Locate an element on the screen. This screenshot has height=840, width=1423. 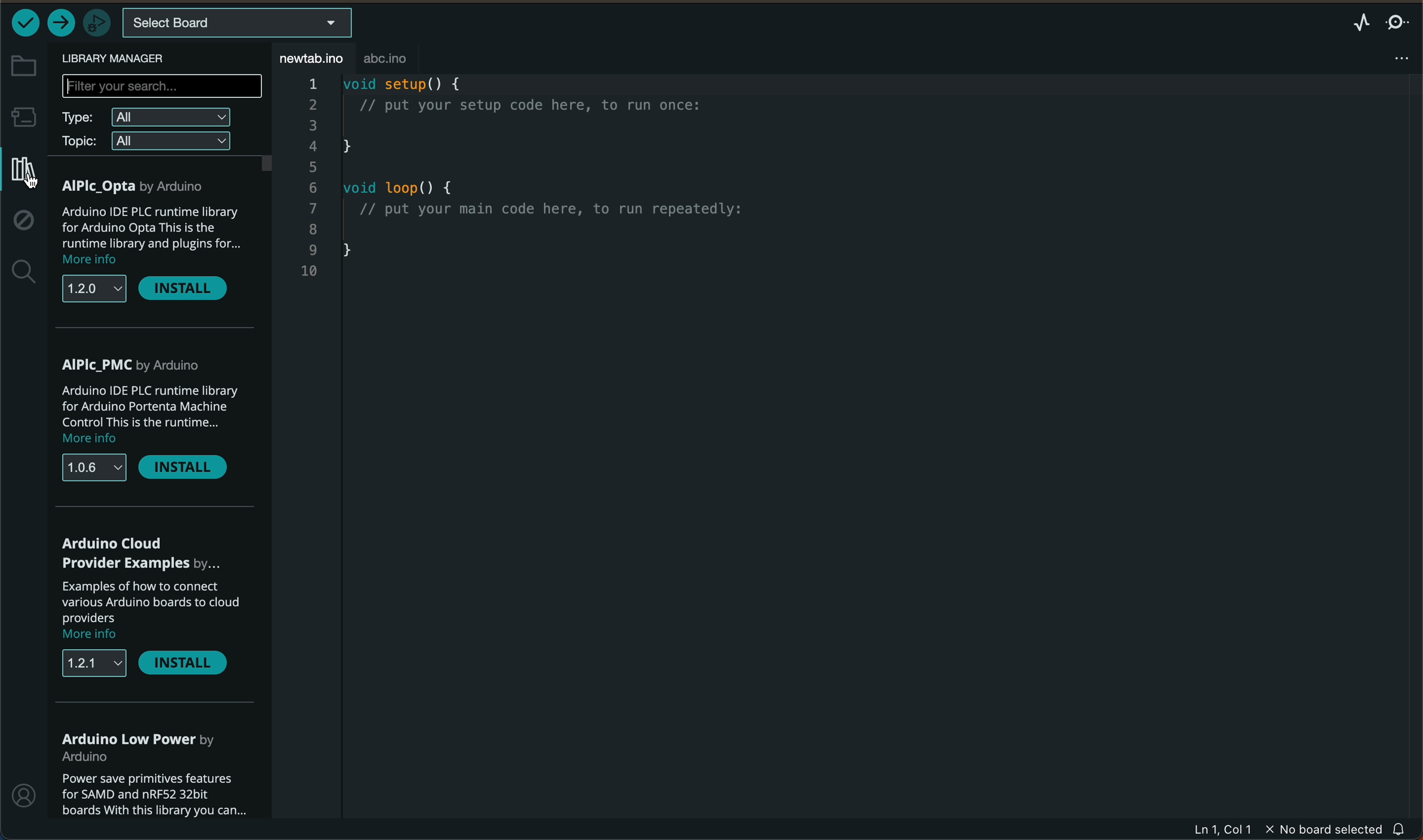
topic filter is located at coordinates (150, 142).